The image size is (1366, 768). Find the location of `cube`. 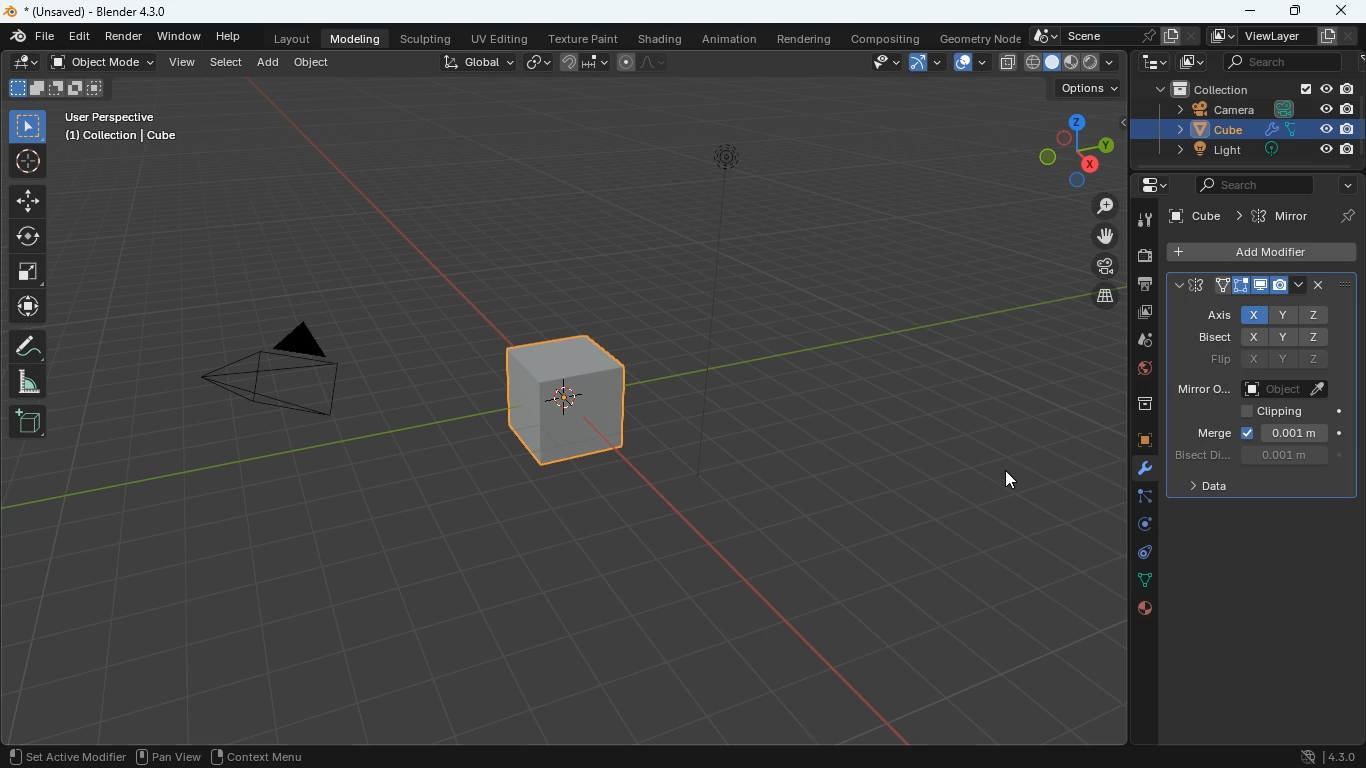

cube is located at coordinates (1135, 441).